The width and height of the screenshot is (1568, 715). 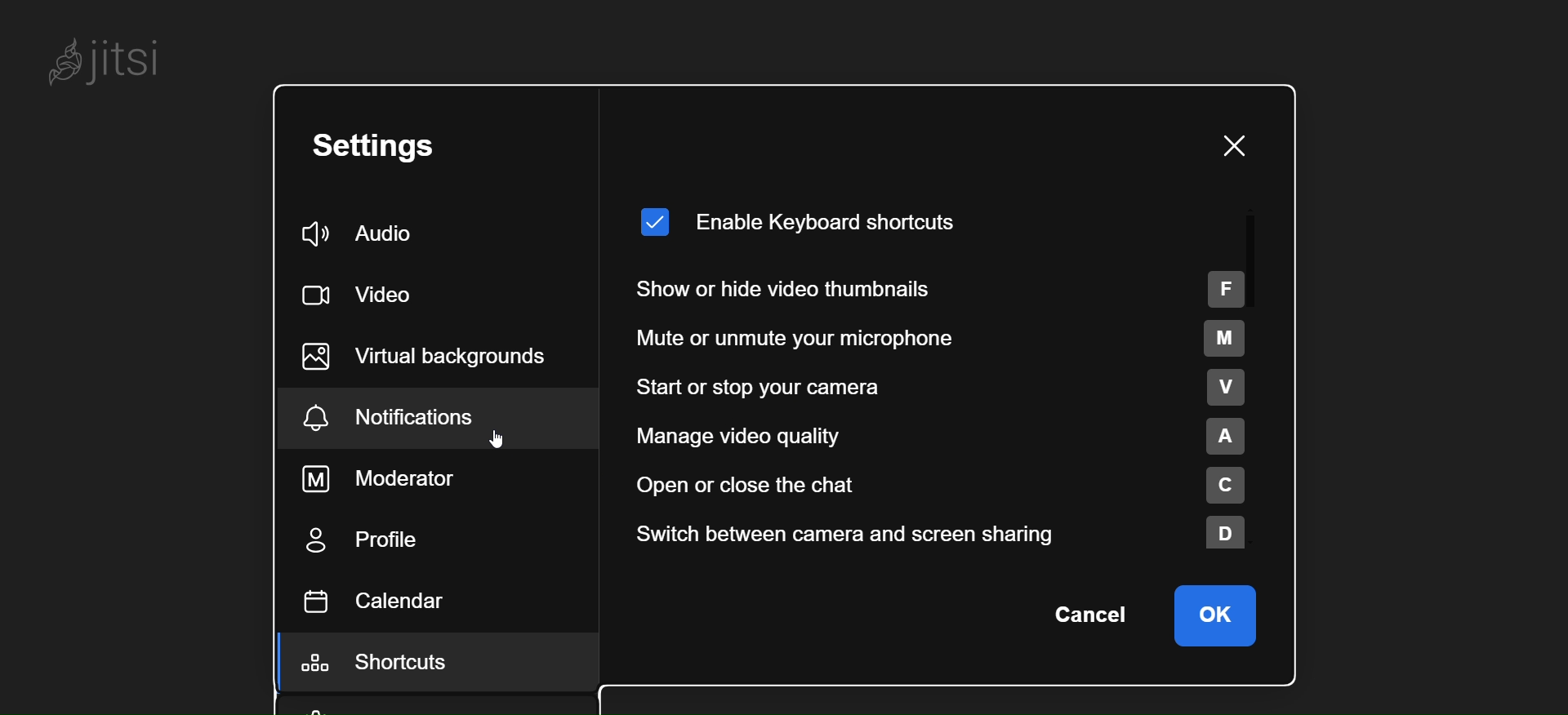 I want to click on close window, so click(x=1234, y=147).